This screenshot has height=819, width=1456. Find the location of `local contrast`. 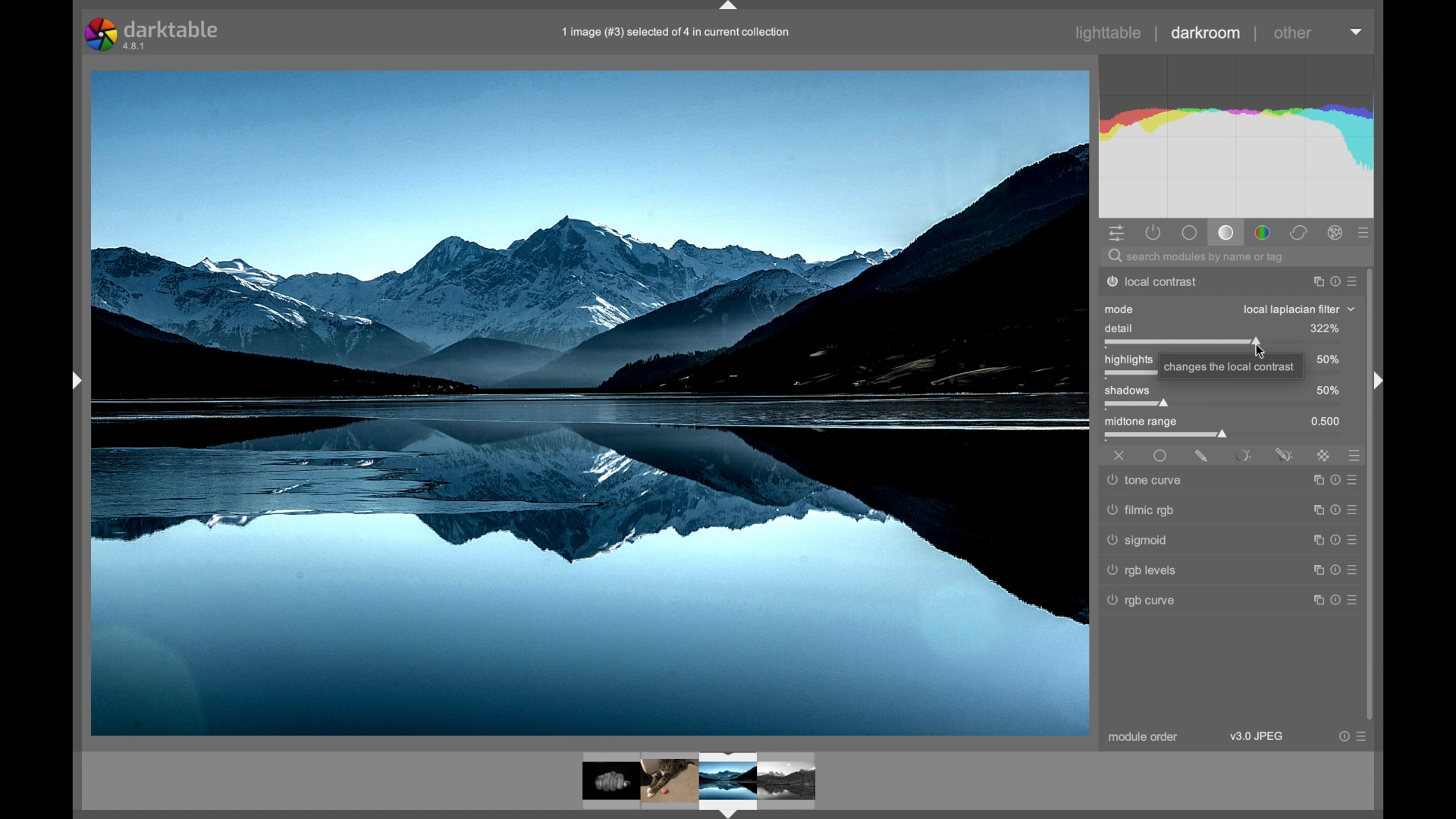

local contrast is located at coordinates (1152, 281).